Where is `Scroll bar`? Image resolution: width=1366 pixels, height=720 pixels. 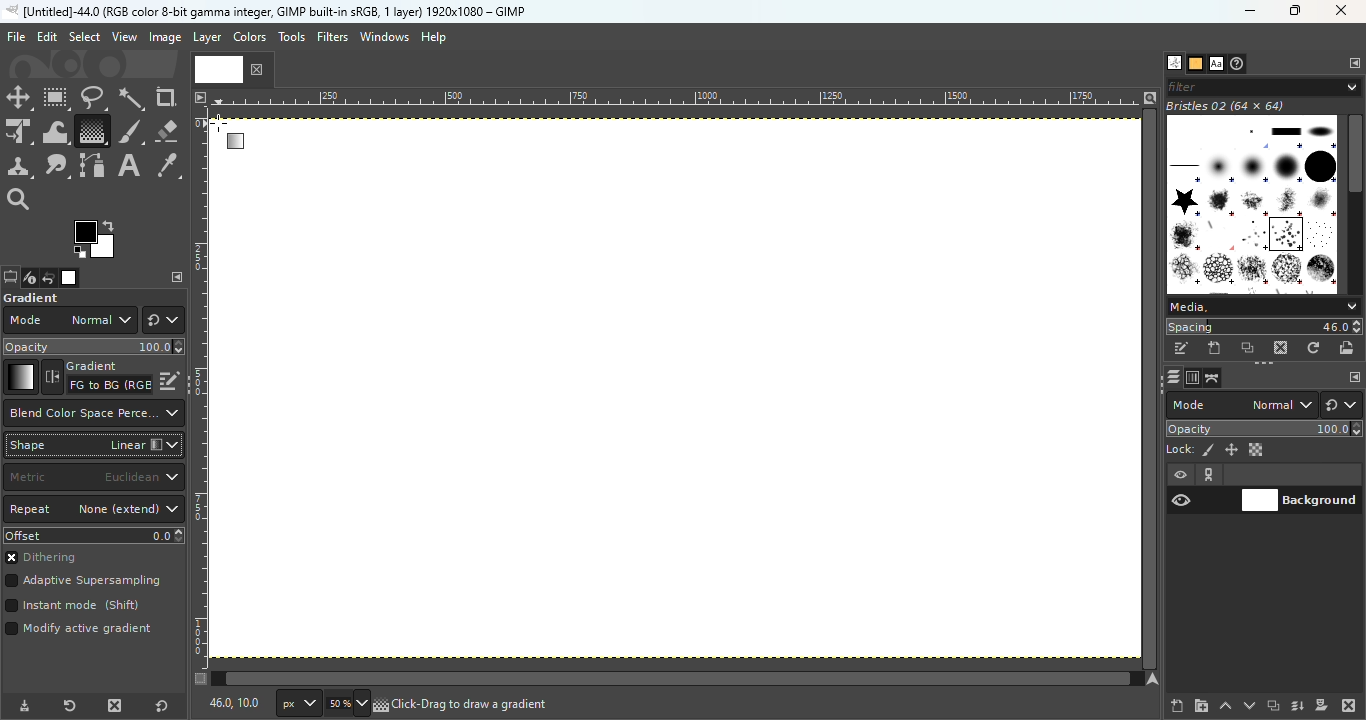 Scroll bar is located at coordinates (1355, 201).